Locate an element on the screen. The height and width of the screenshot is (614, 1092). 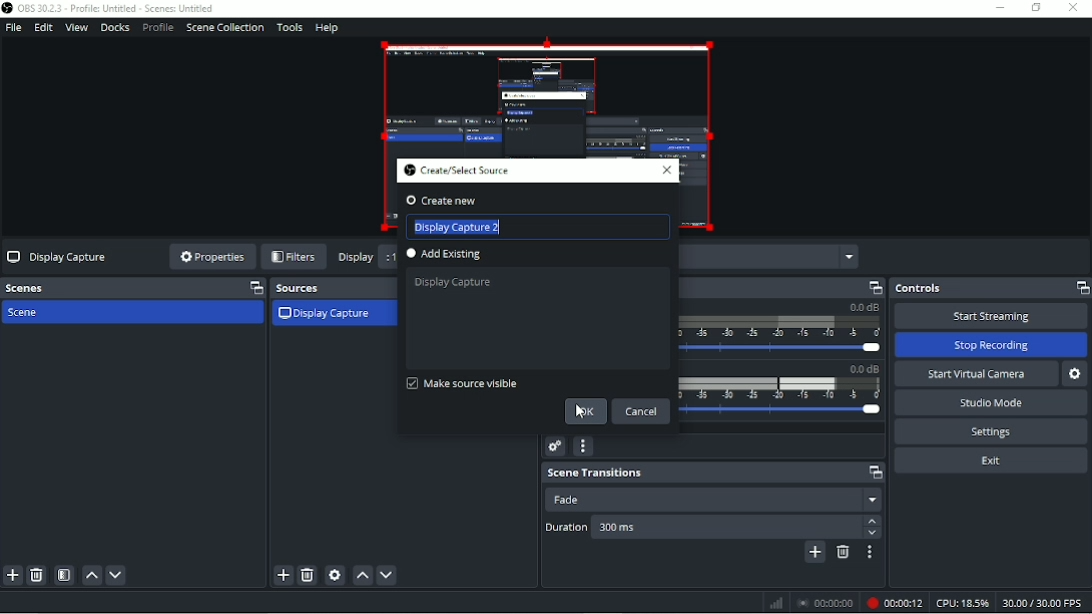
down arrow is located at coordinates (873, 534).